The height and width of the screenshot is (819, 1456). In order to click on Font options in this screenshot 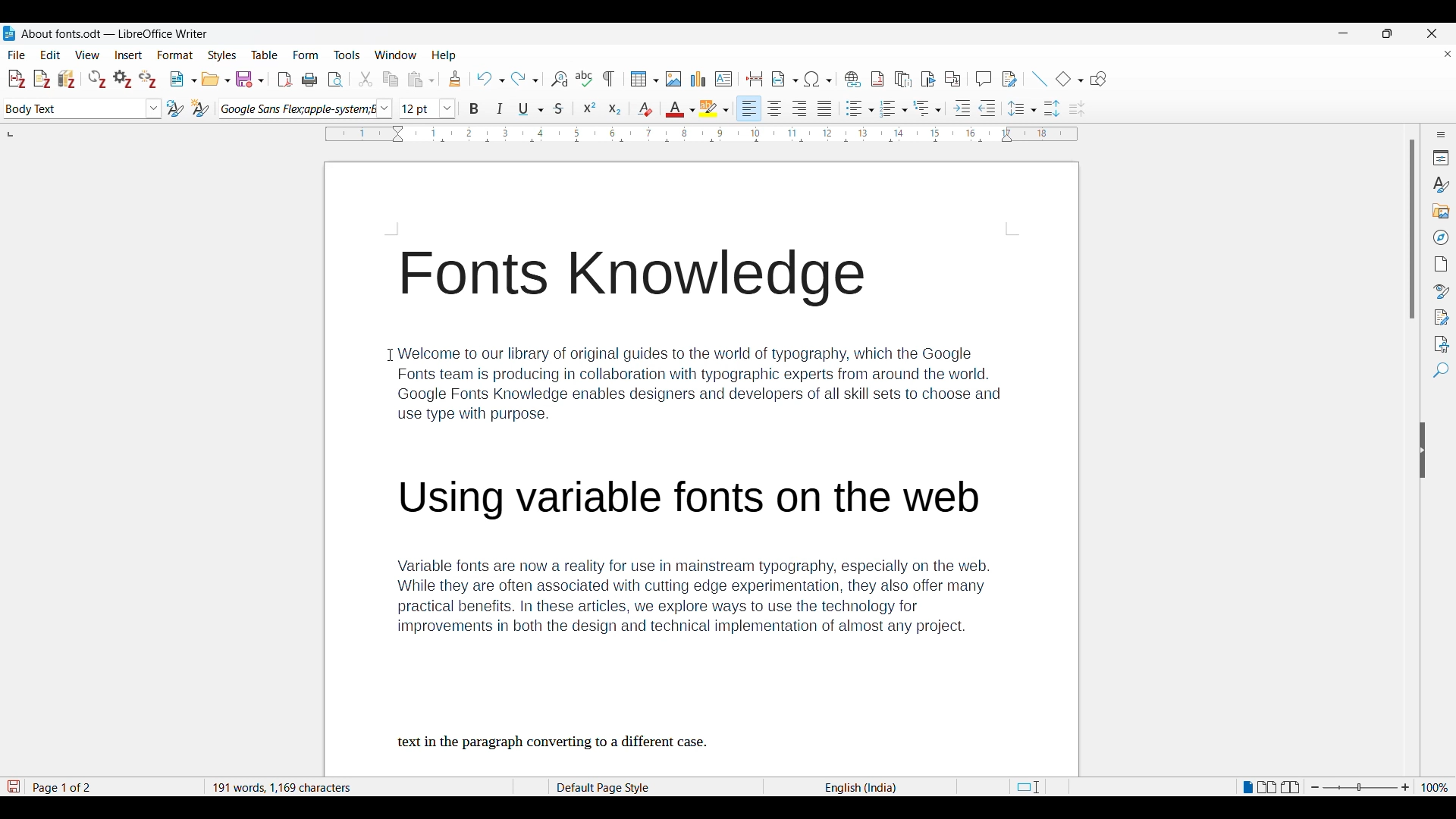, I will do `click(306, 109)`.